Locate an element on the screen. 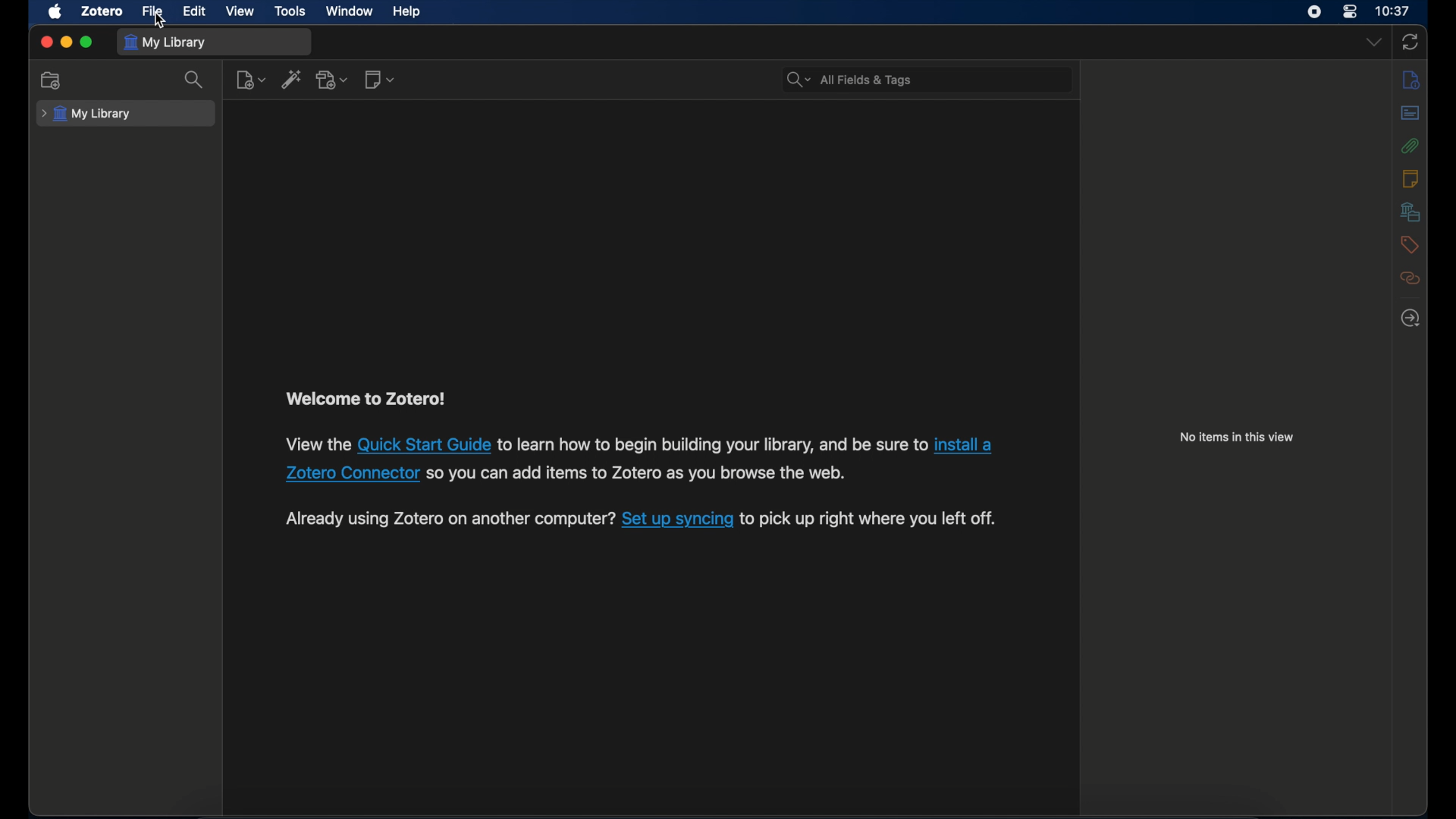 Image resolution: width=1456 pixels, height=819 pixels. no items in this view is located at coordinates (1238, 438).